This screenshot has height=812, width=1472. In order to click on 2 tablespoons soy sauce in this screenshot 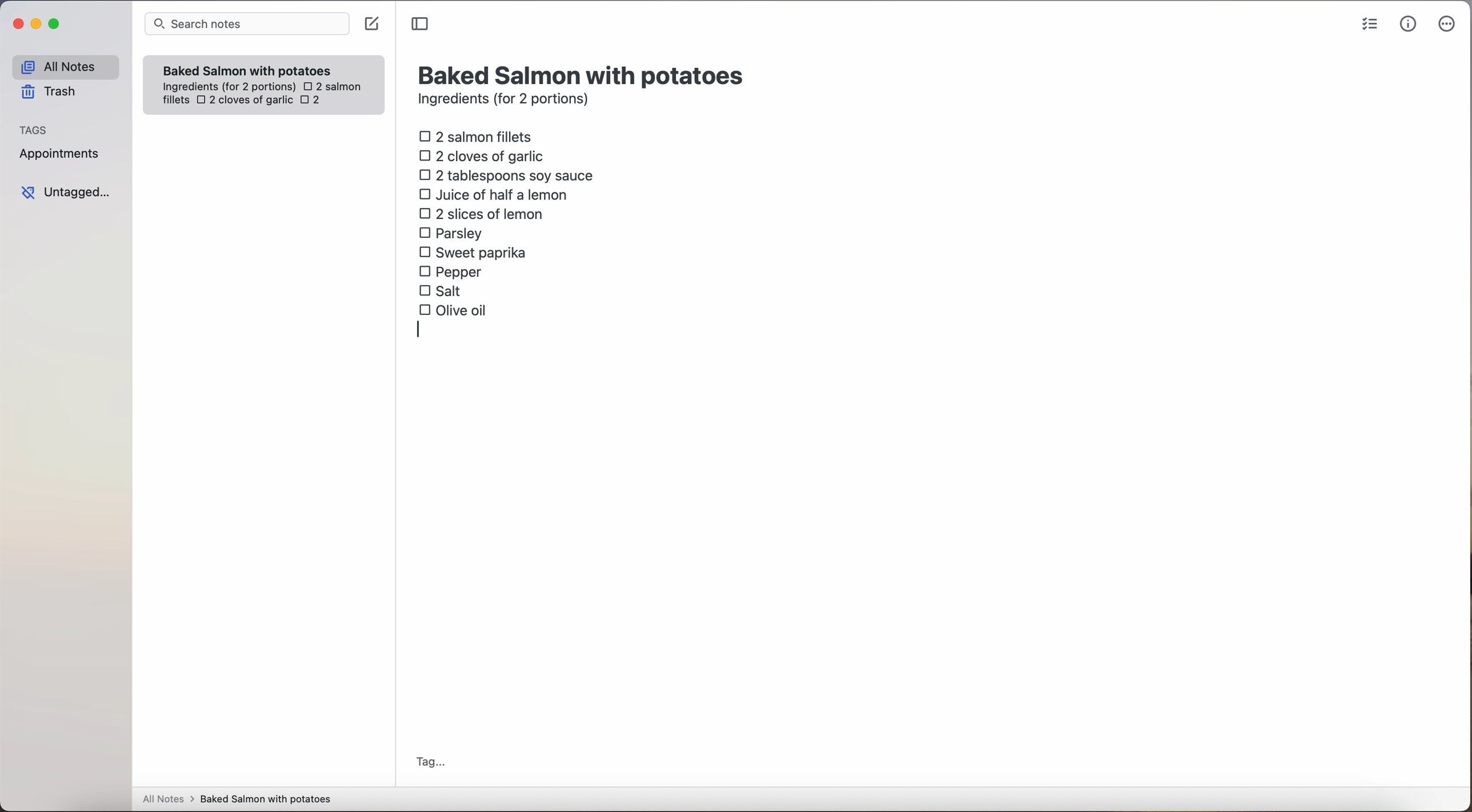, I will do `click(506, 175)`.